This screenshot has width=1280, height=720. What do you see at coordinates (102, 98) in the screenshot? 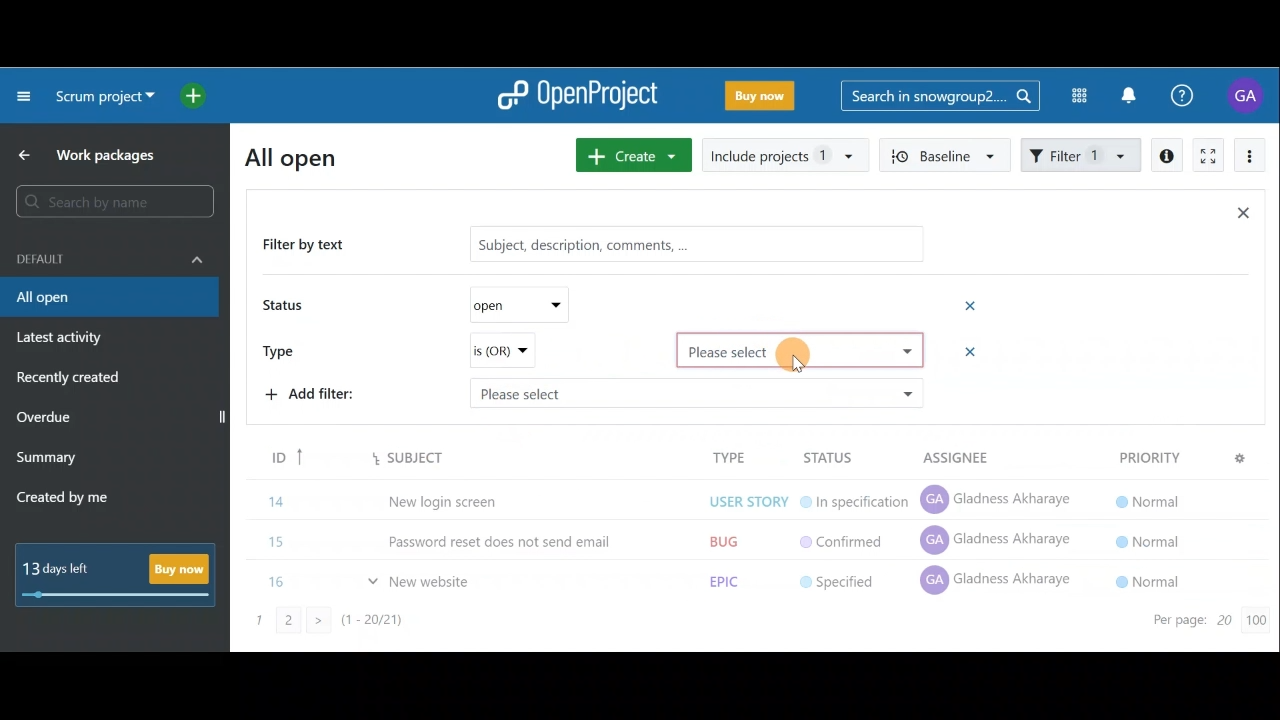
I see `Project name` at bounding box center [102, 98].